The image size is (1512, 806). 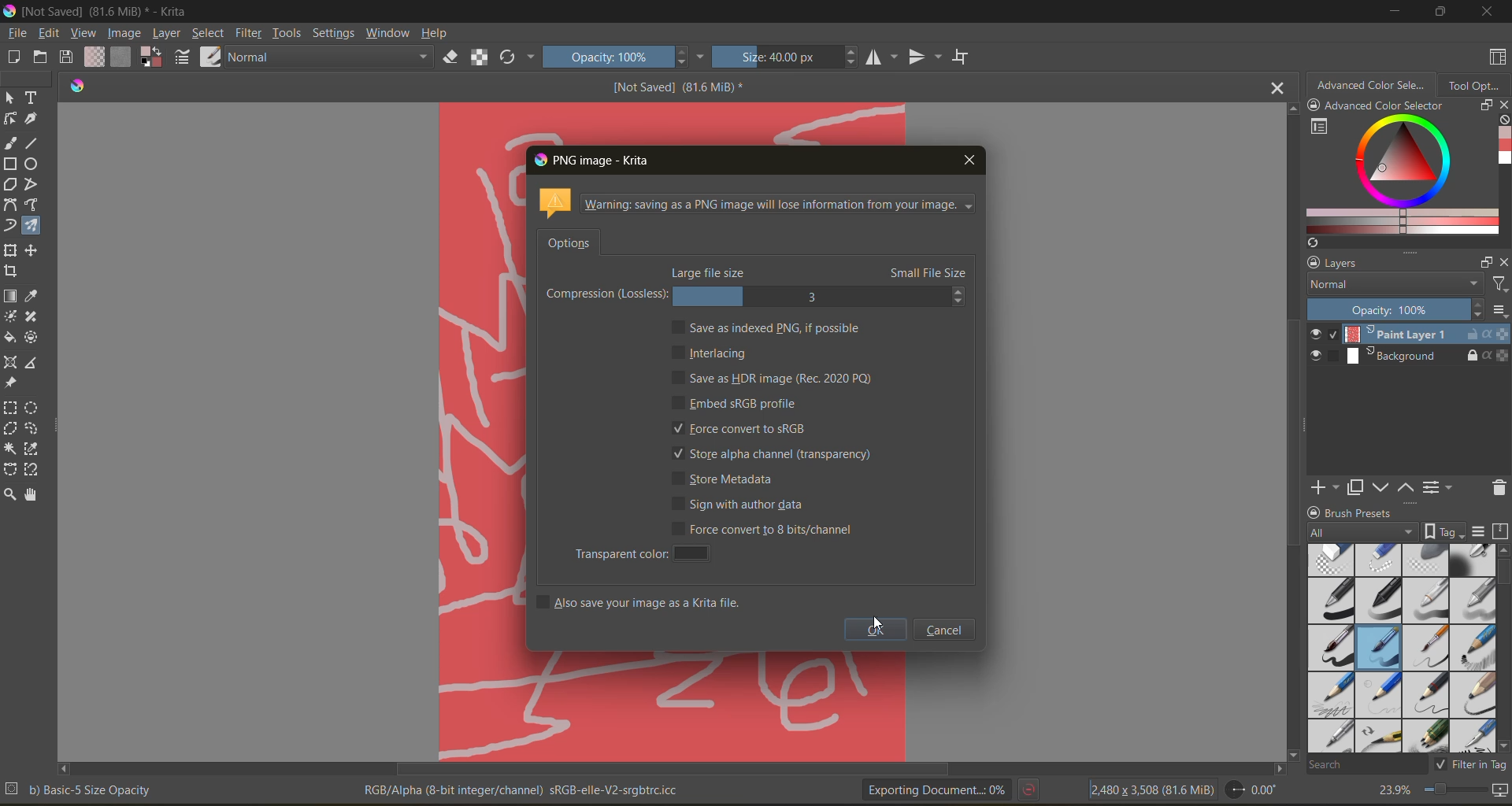 What do you see at coordinates (1251, 789) in the screenshot?
I see `flip angle` at bounding box center [1251, 789].